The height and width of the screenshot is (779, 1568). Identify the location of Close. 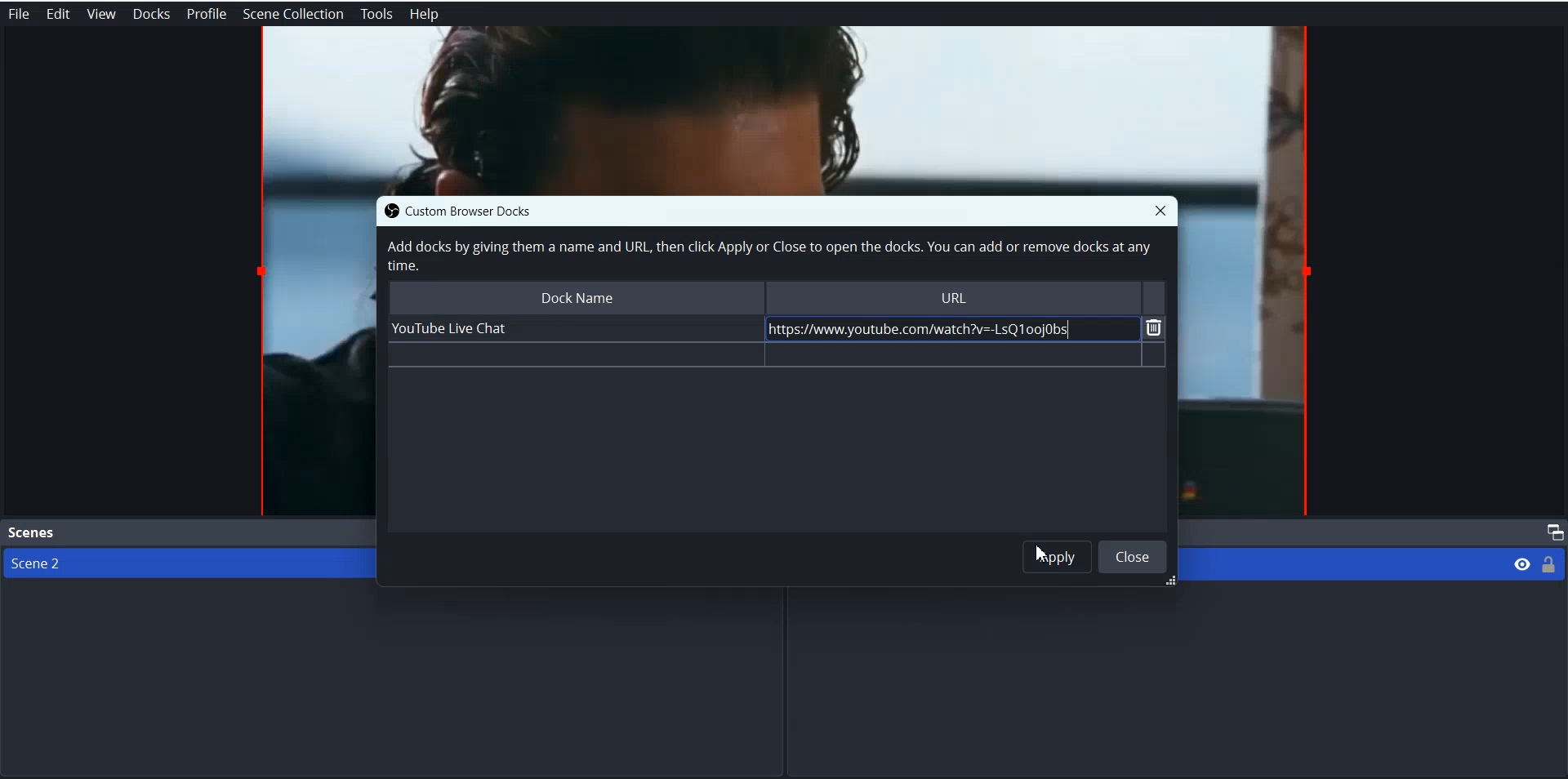
(1133, 556).